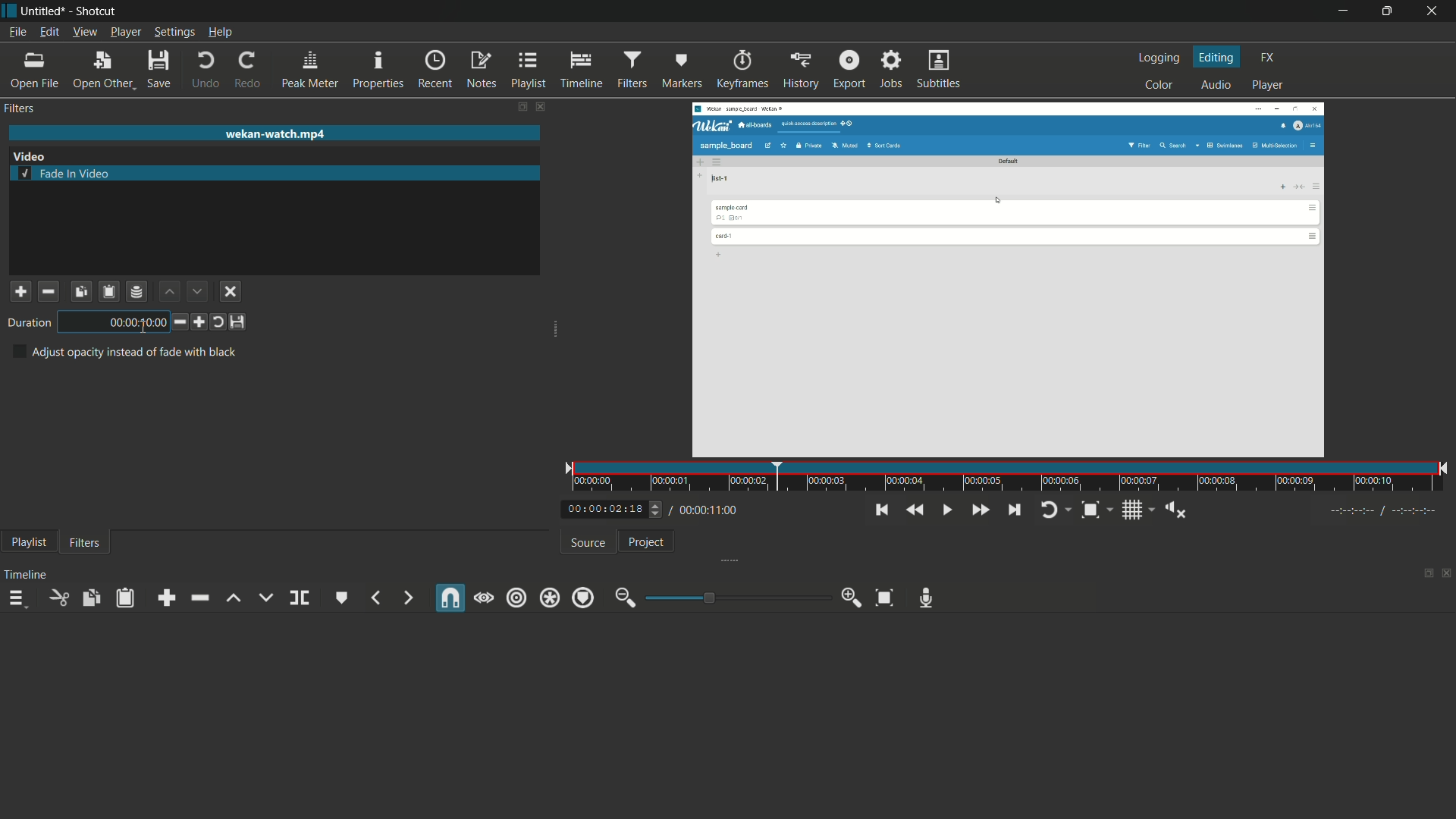  What do you see at coordinates (849, 69) in the screenshot?
I see `export` at bounding box center [849, 69].